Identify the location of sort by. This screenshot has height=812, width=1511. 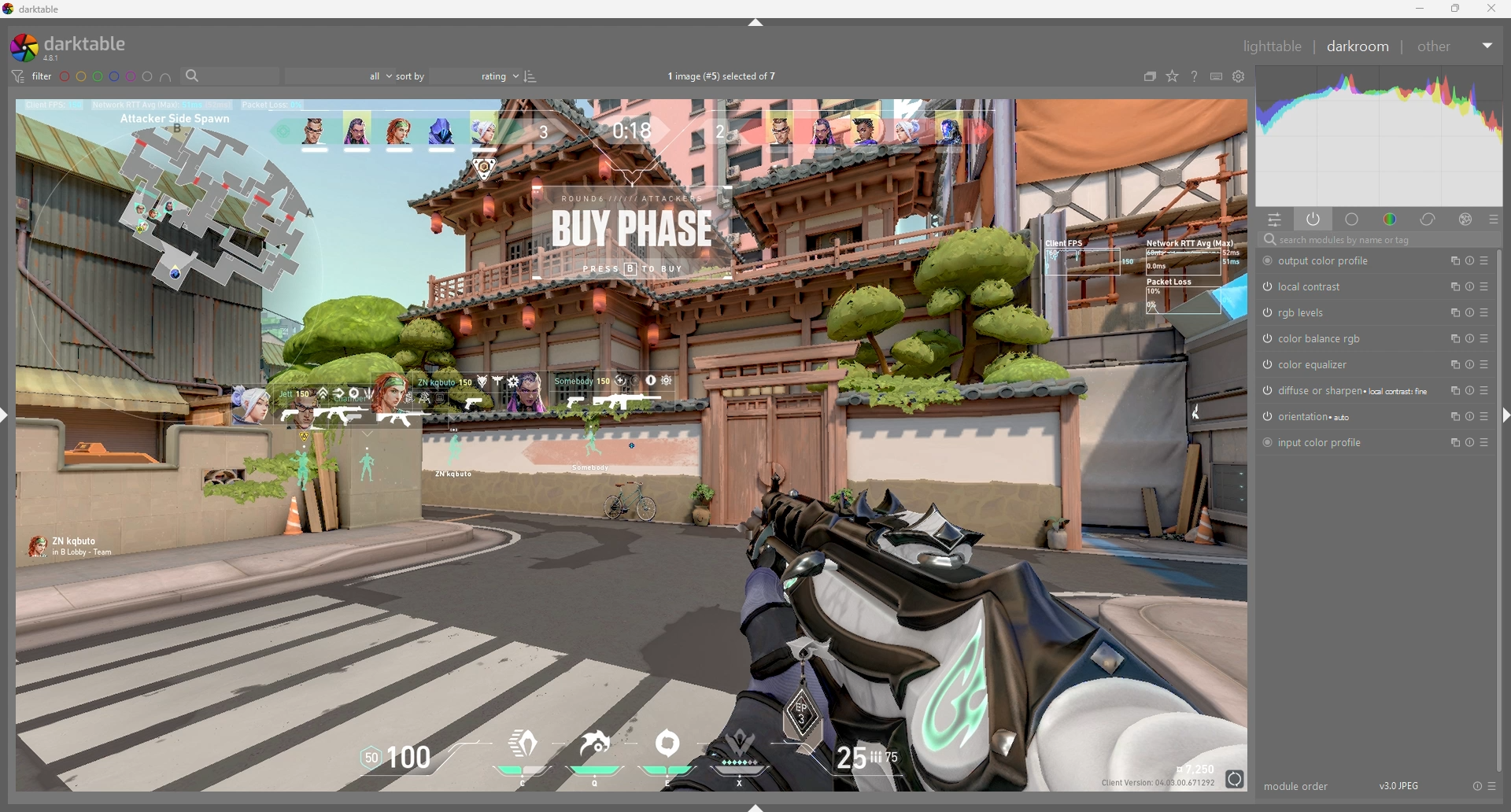
(459, 76).